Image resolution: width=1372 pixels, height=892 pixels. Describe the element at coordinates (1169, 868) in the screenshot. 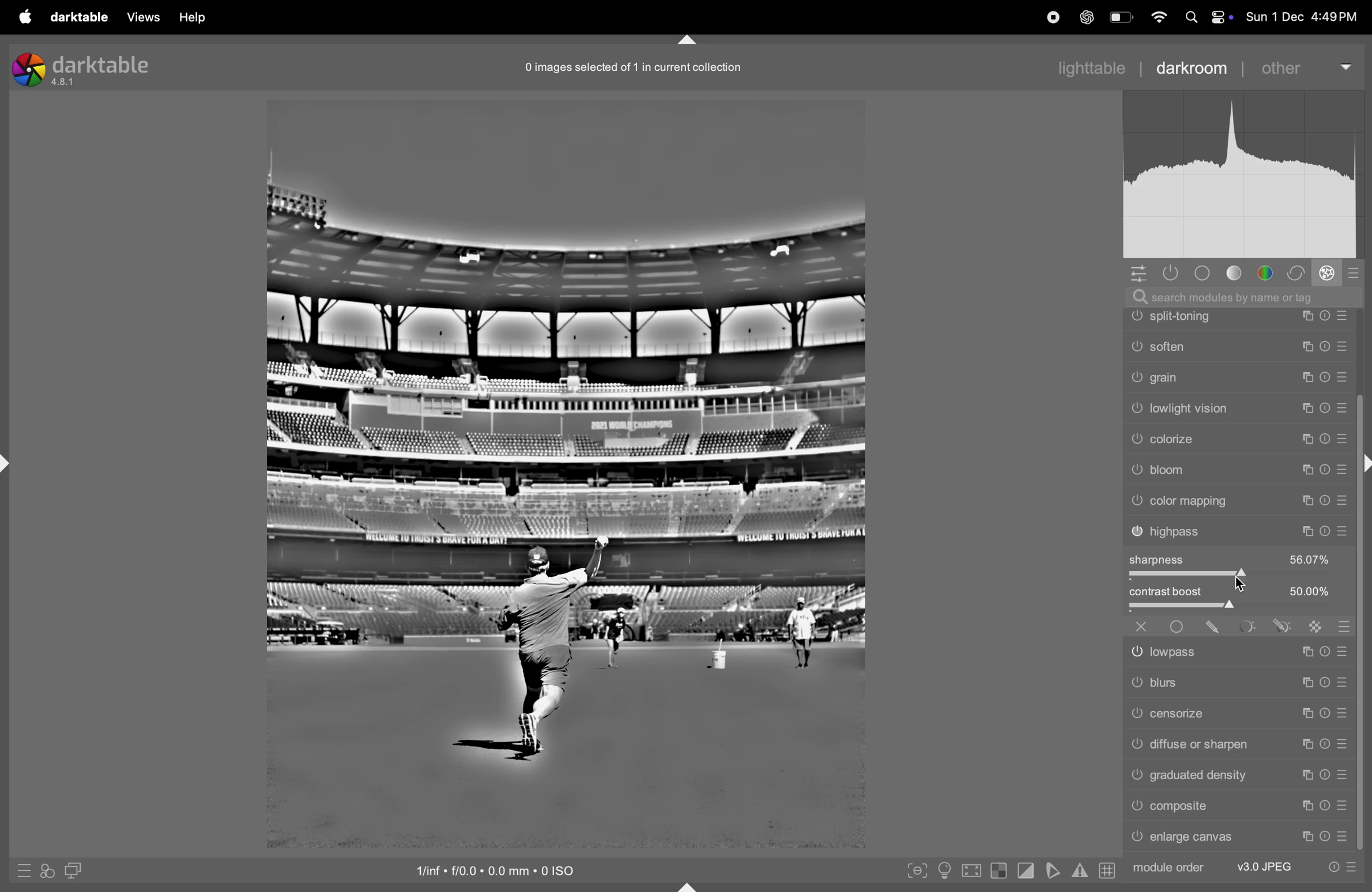

I see `module order` at that location.